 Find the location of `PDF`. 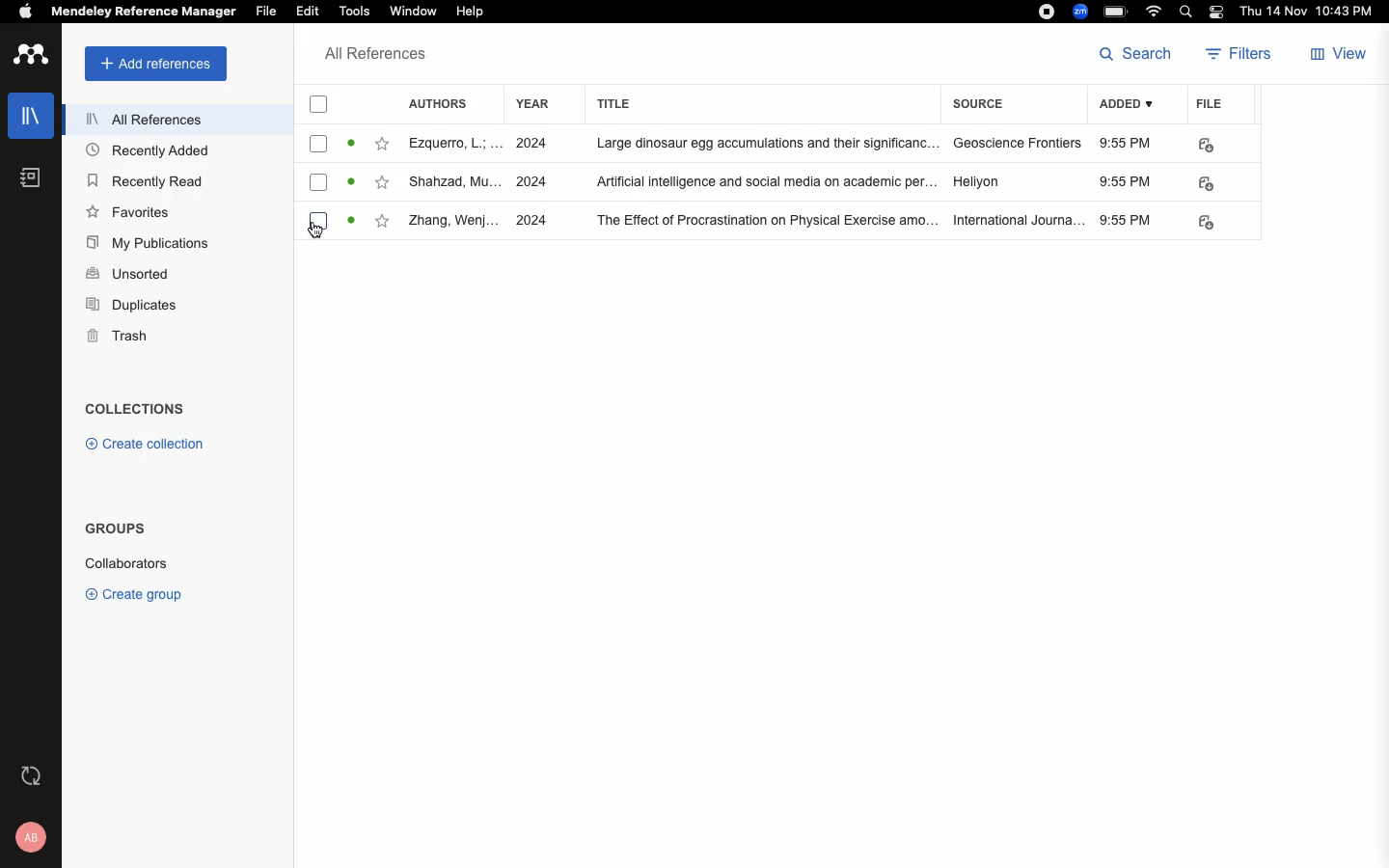

PDF is located at coordinates (1206, 184).